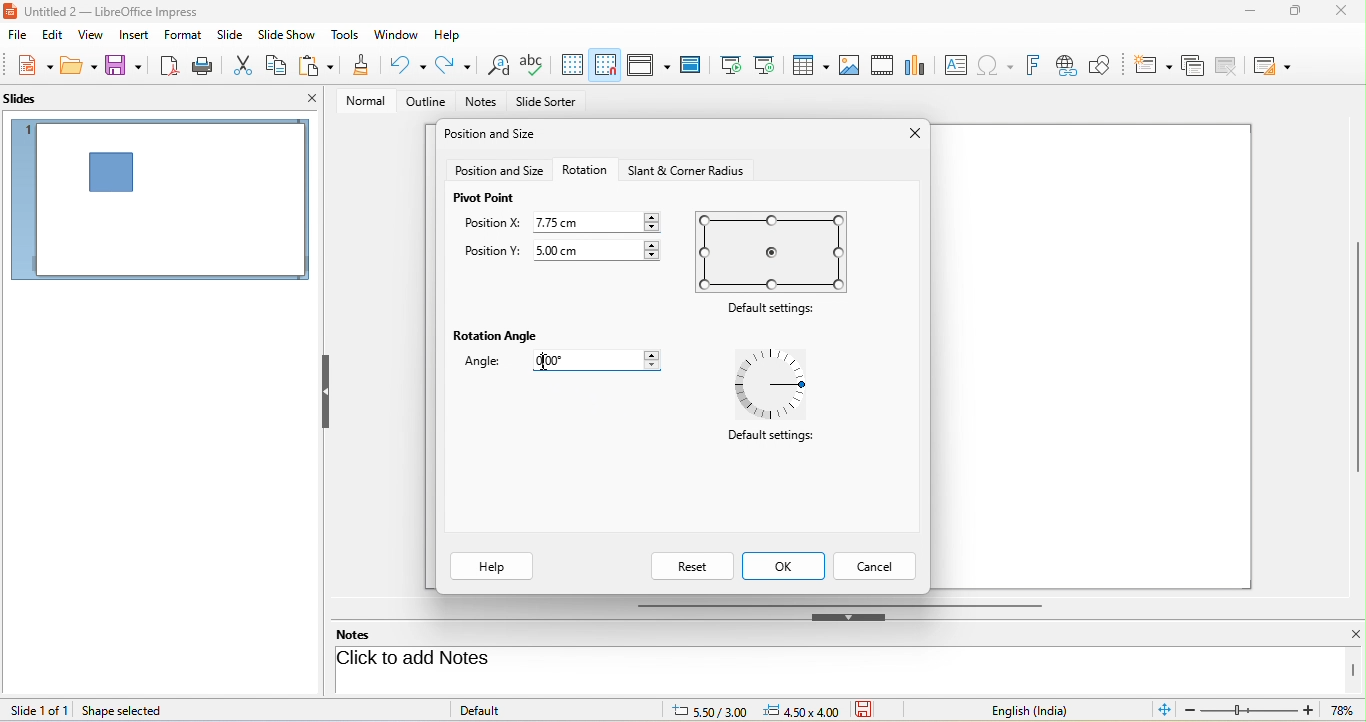  What do you see at coordinates (849, 617) in the screenshot?
I see `hide` at bounding box center [849, 617].